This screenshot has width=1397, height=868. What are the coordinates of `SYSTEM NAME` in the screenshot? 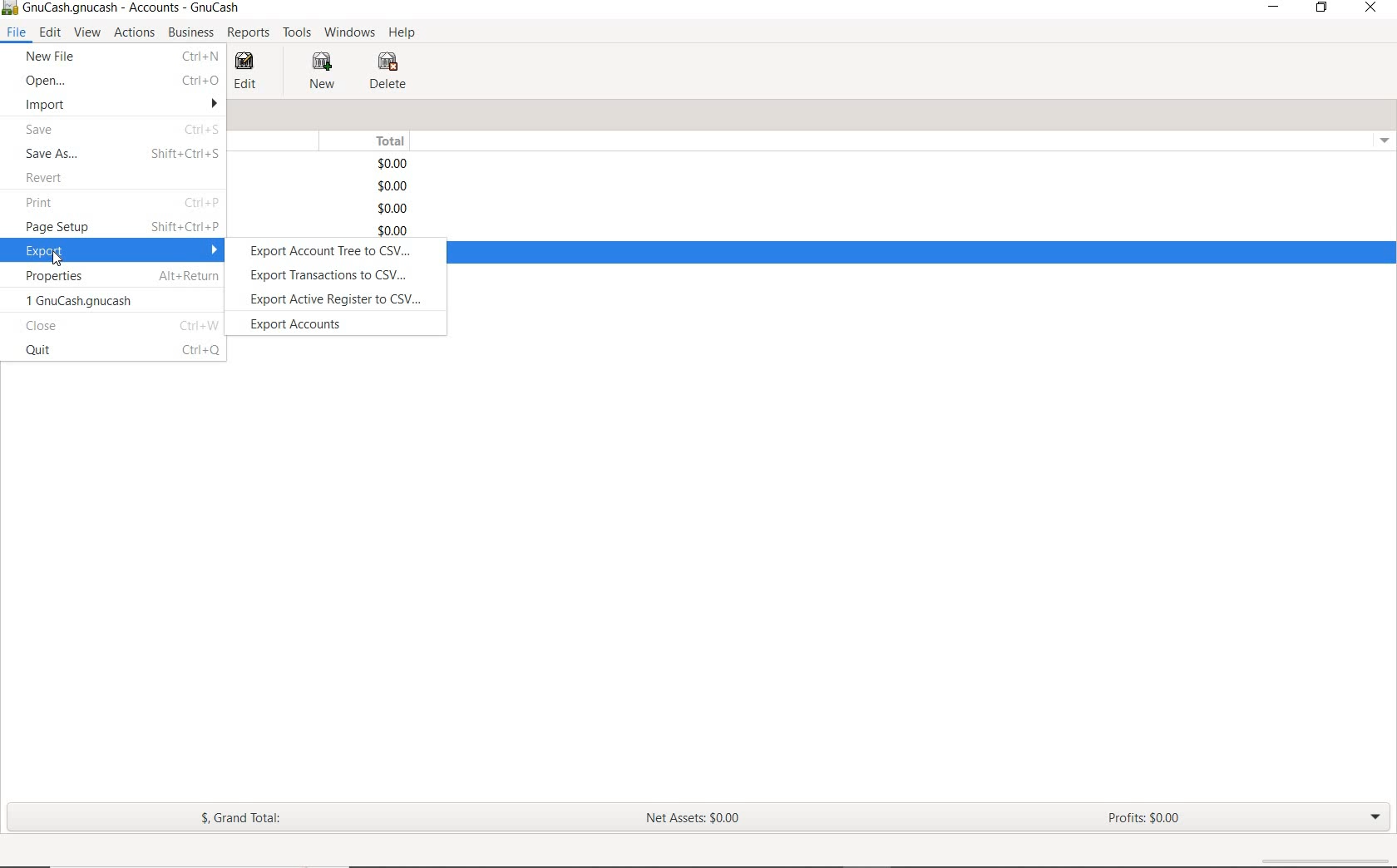 It's located at (126, 9).